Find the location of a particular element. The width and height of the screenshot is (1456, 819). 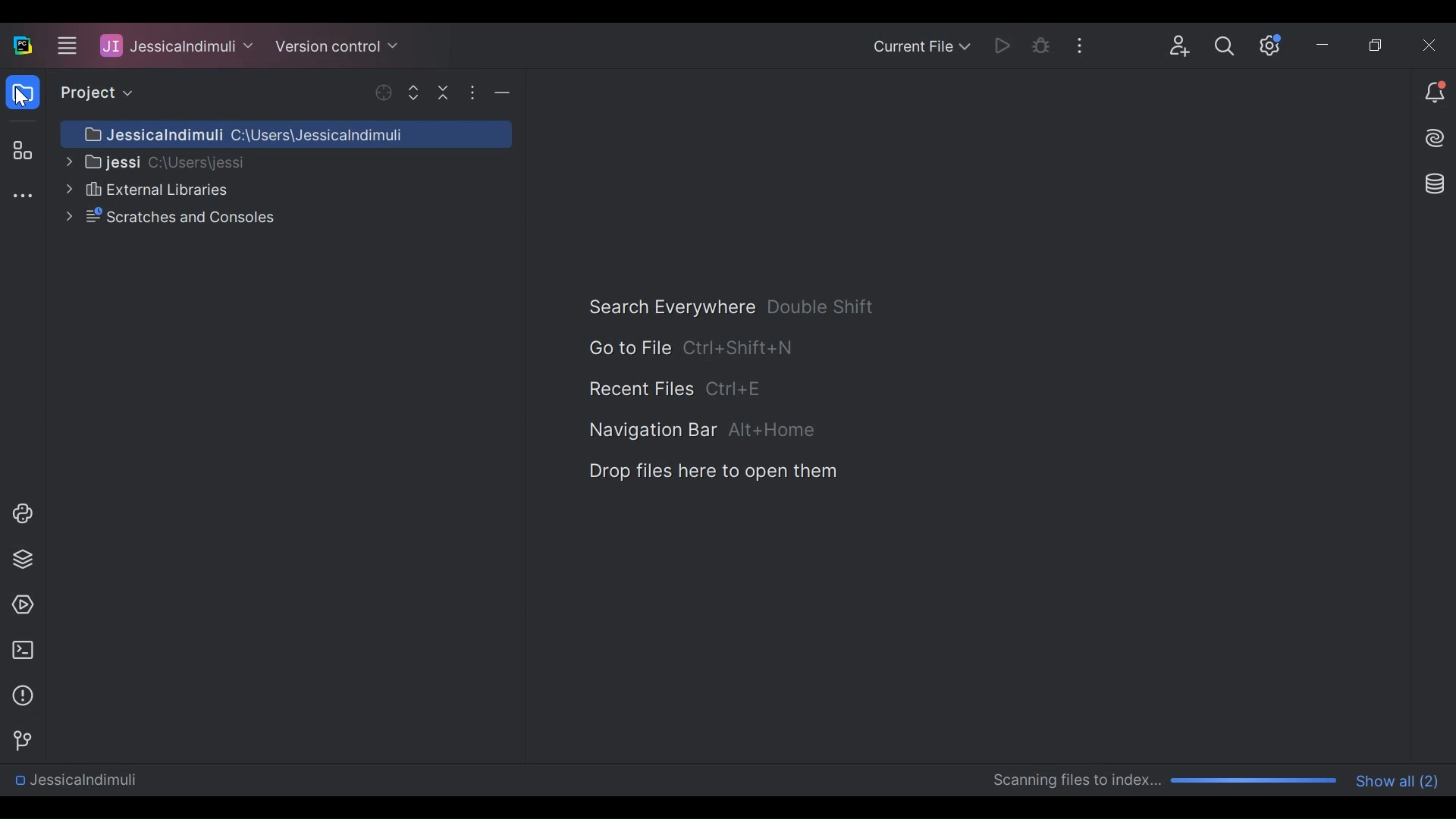

Cursor is located at coordinates (17, 100).